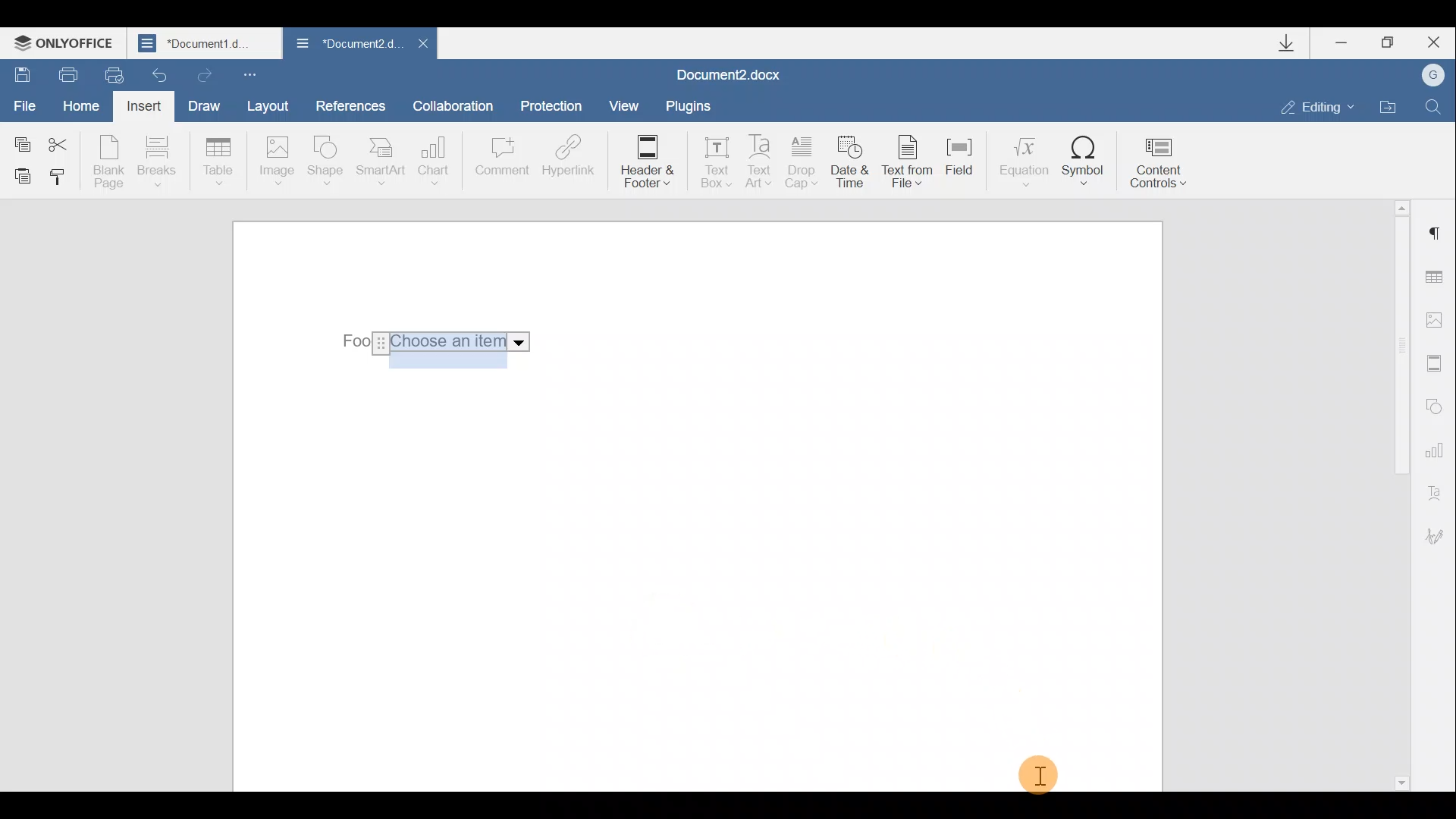  I want to click on Close, so click(1432, 42).